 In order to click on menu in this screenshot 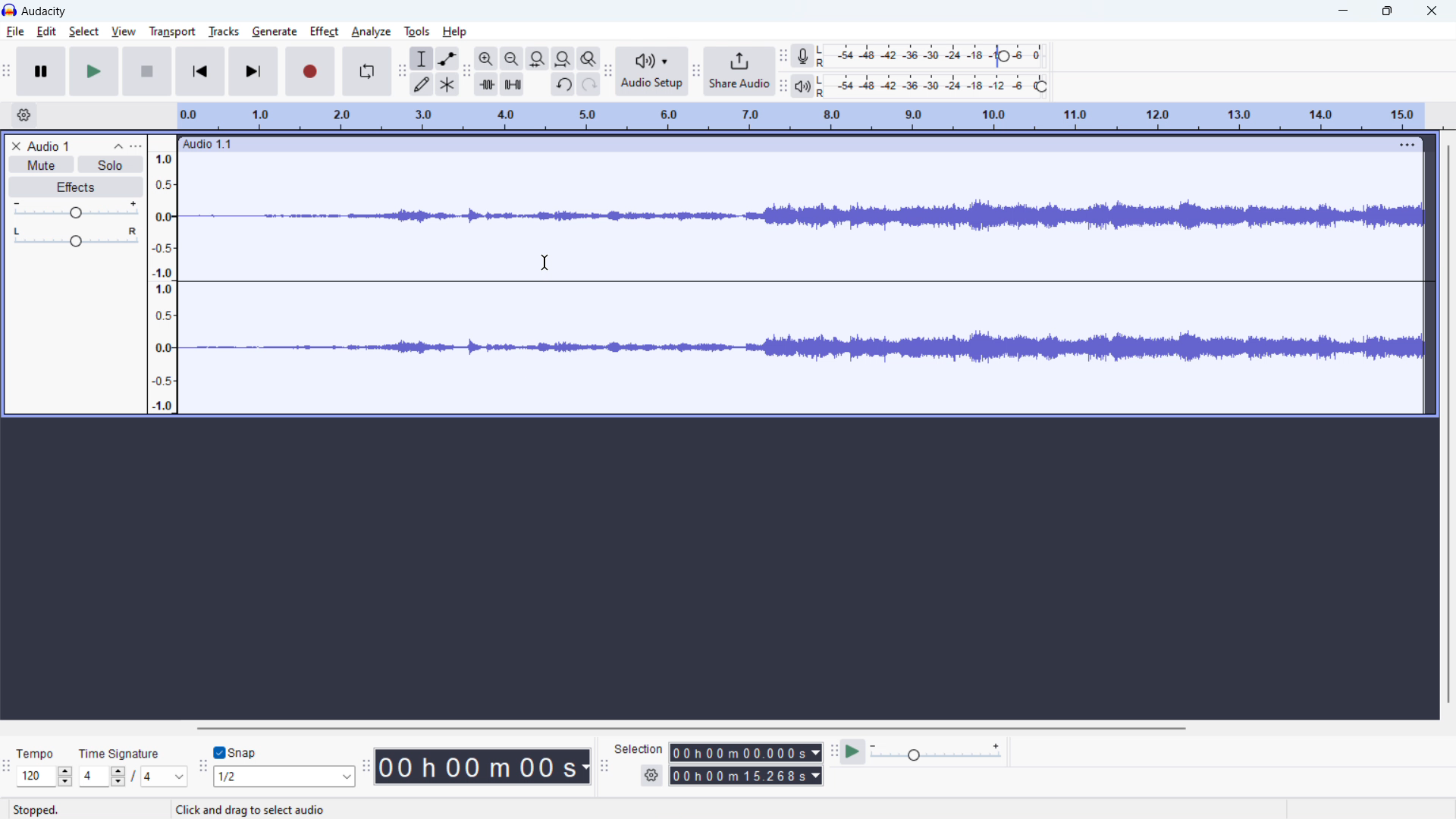, I will do `click(1405, 145)`.